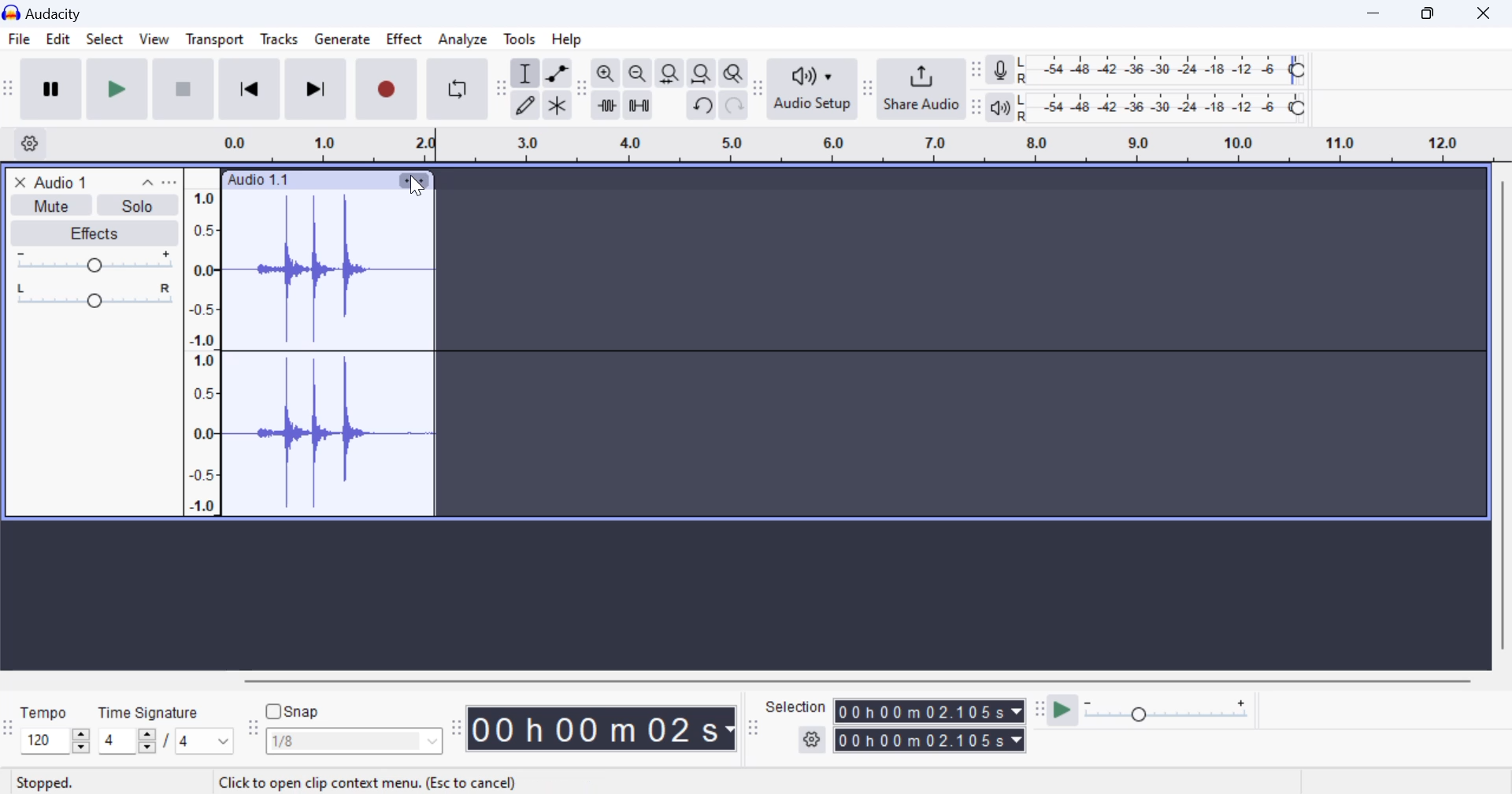  Describe the element at coordinates (139, 206) in the screenshot. I see `Solo` at that location.